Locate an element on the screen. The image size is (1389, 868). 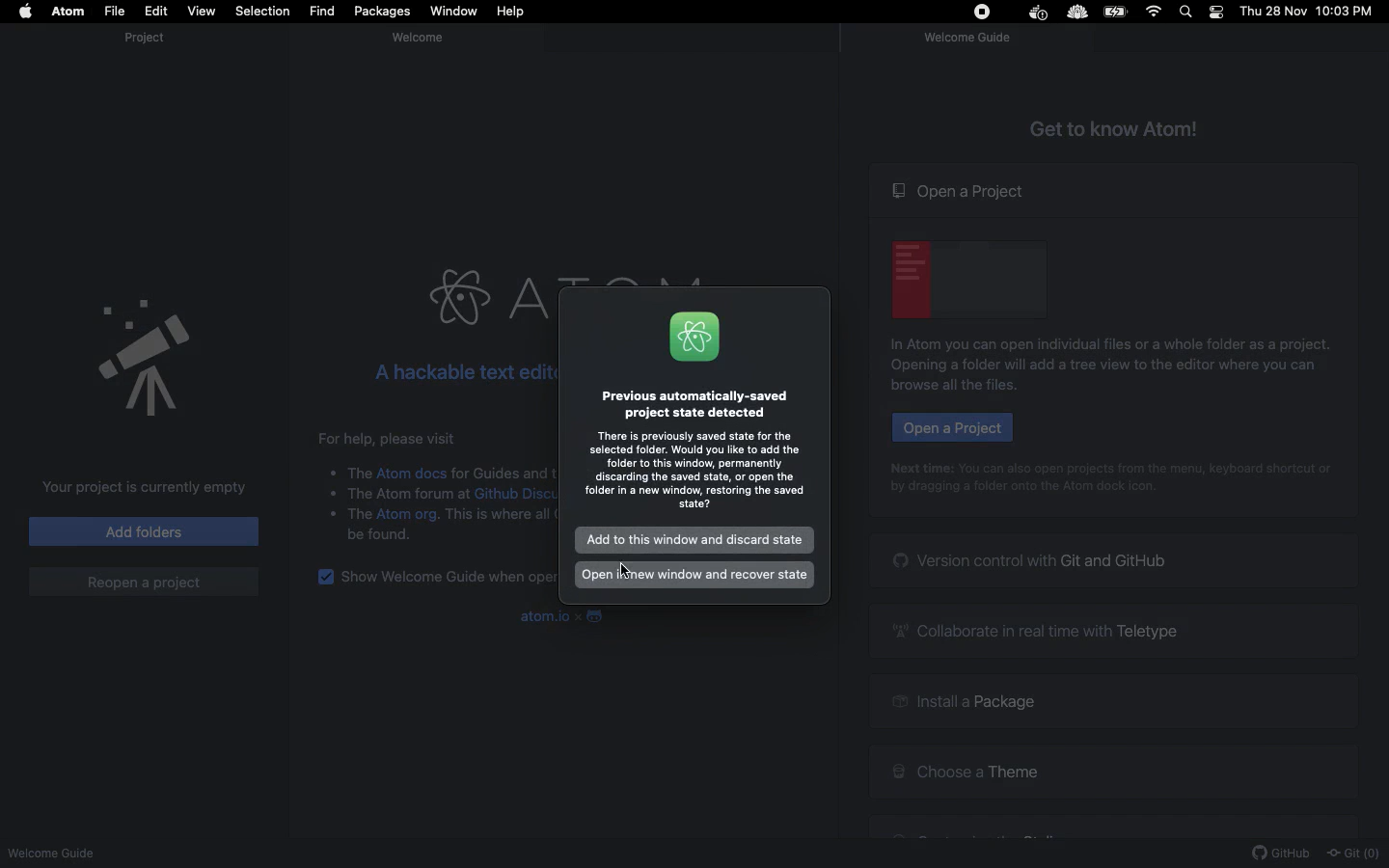
Open a project is located at coordinates (951, 427).